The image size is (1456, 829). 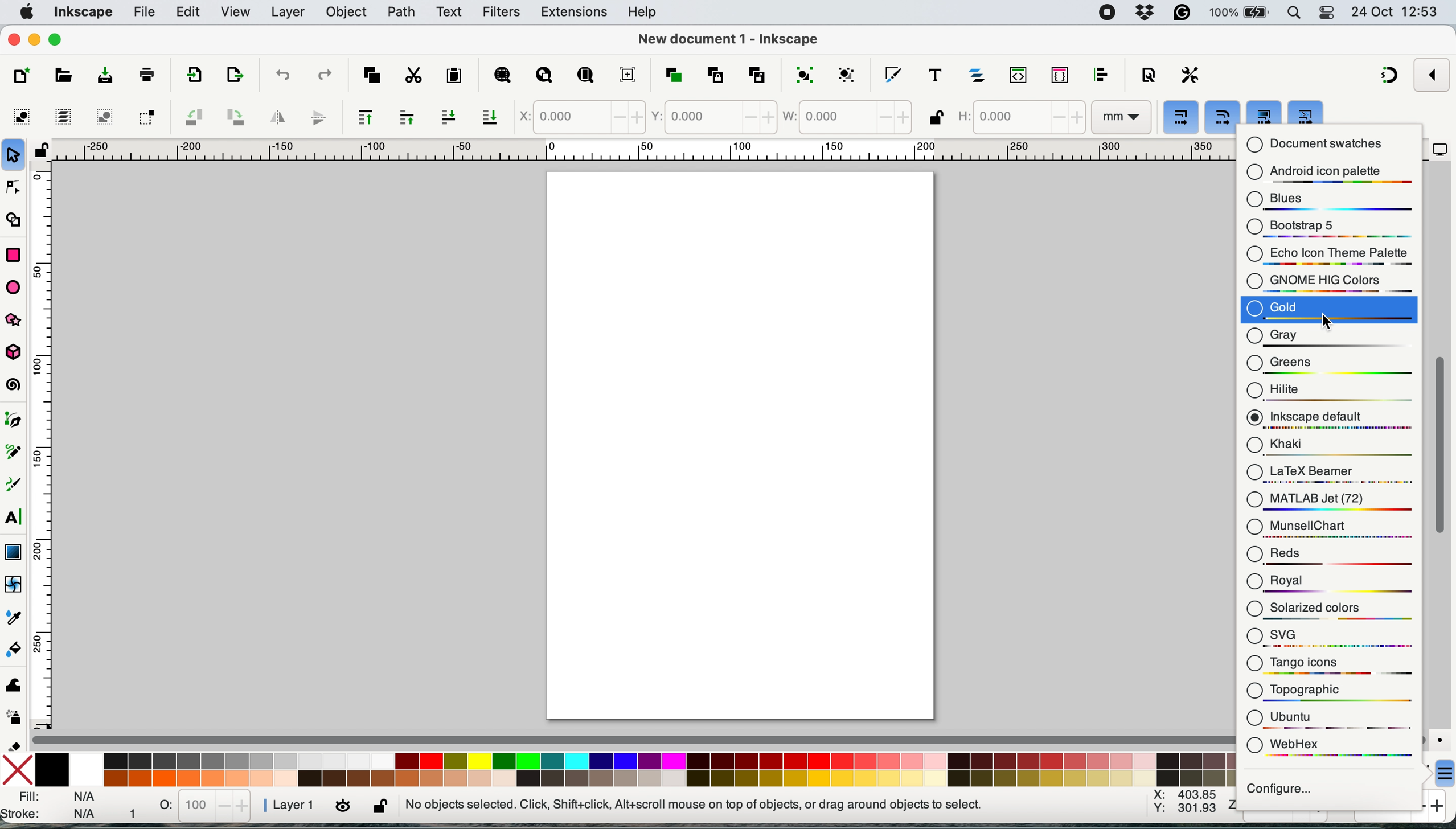 I want to click on stats, so click(x=206, y=806).